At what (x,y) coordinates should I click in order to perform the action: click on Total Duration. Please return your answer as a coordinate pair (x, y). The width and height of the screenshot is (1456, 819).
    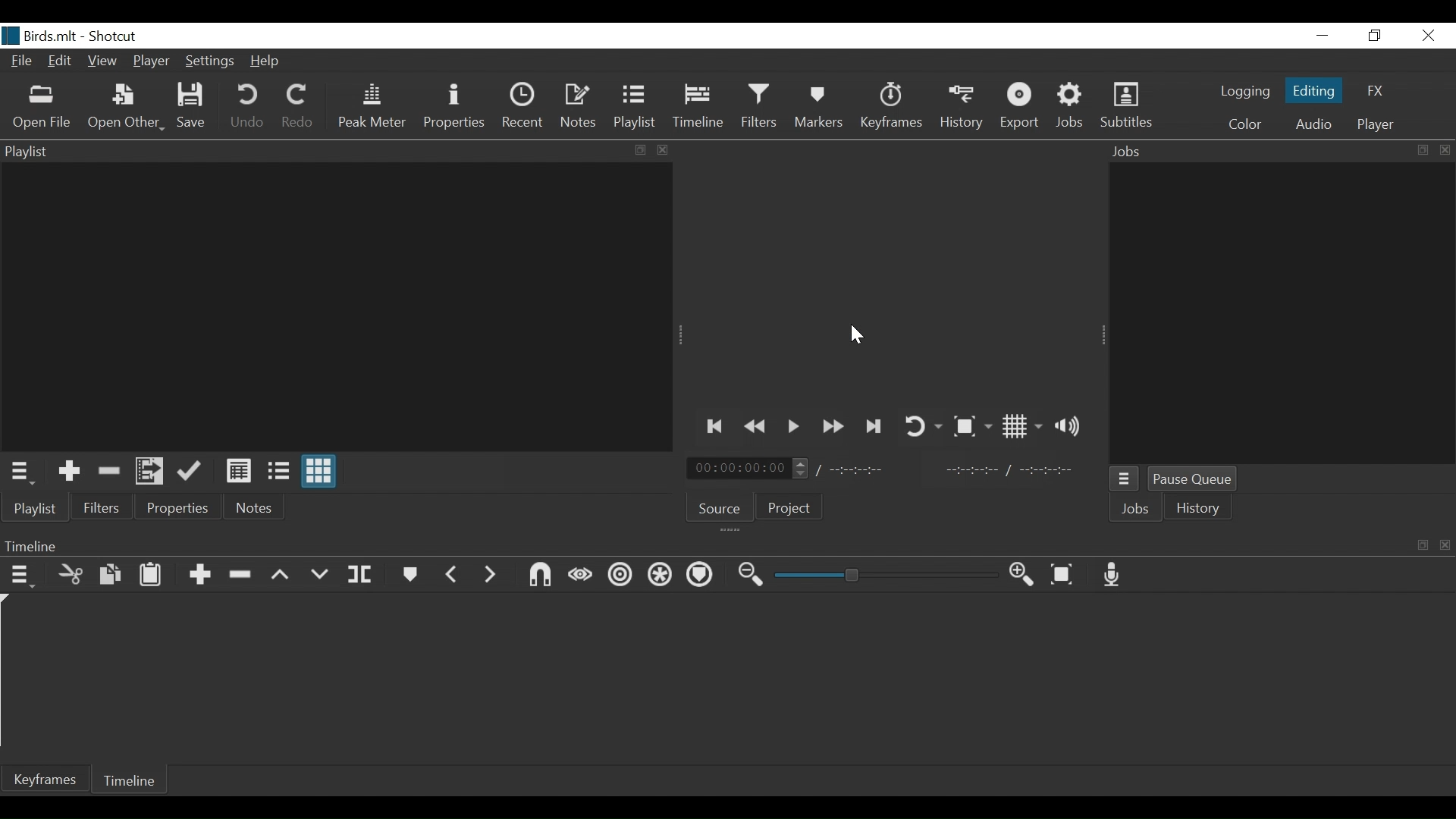
    Looking at the image, I should click on (867, 470).